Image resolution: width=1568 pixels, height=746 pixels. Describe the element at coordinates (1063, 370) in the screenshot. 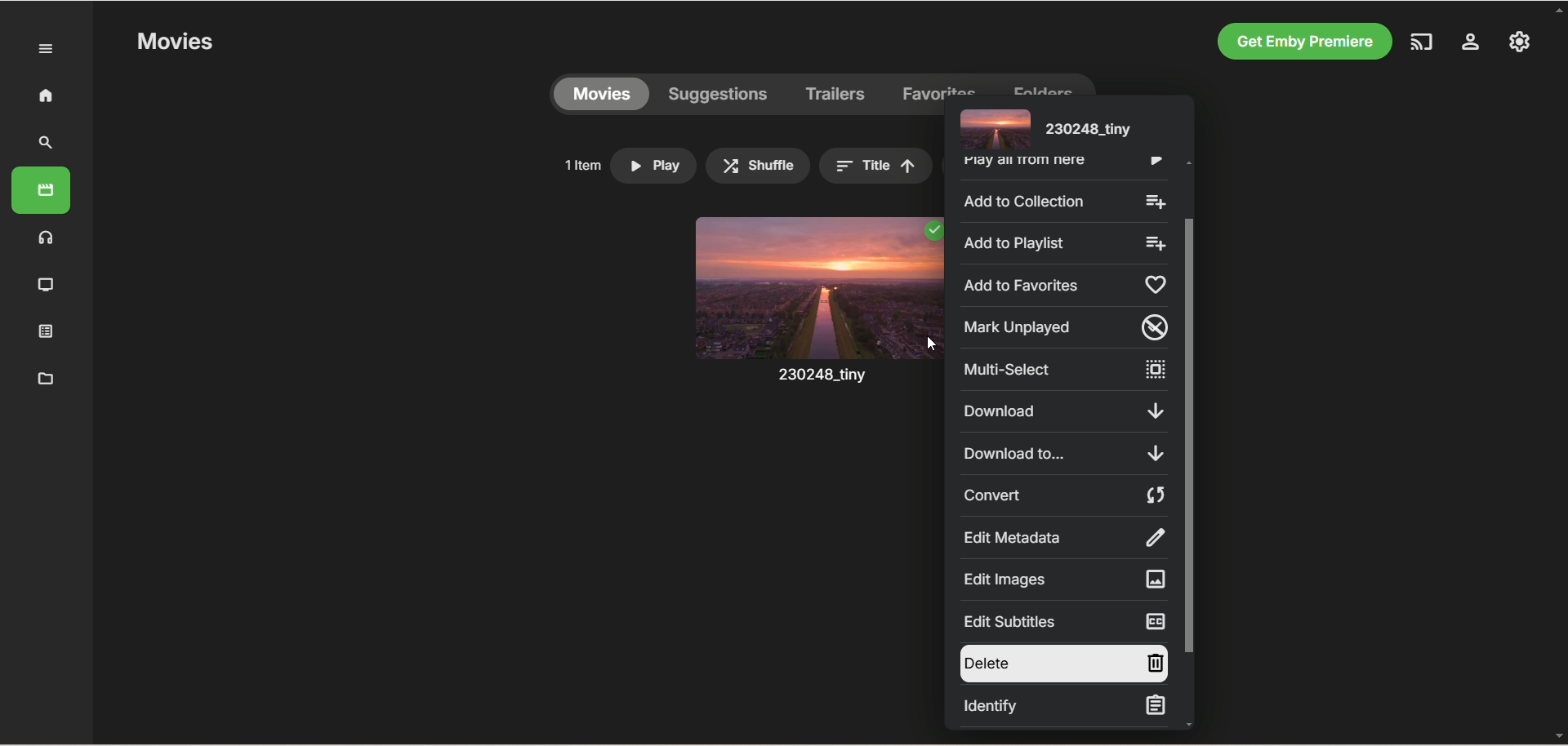

I see `multi-select` at that location.